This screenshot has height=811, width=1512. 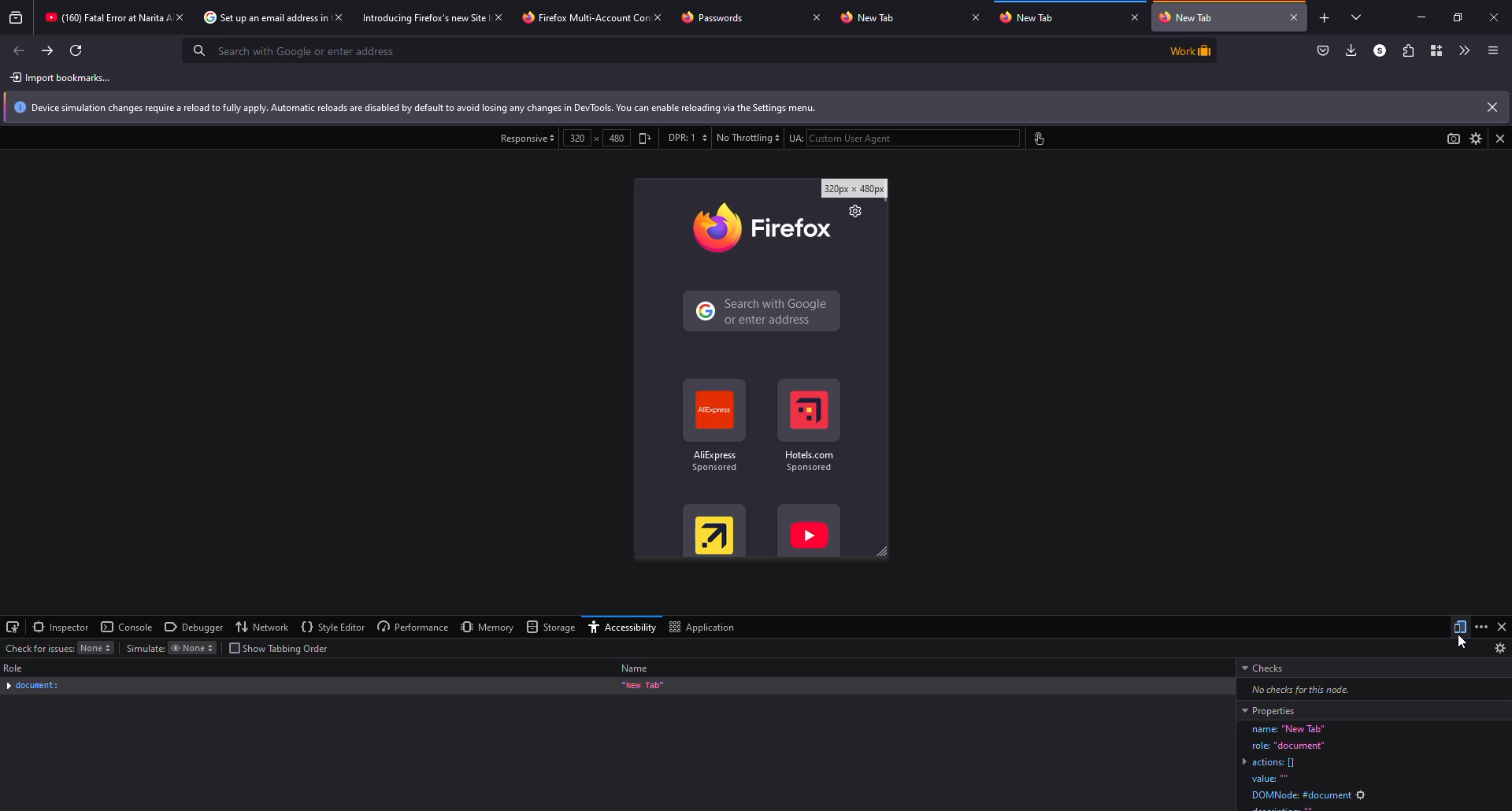 What do you see at coordinates (762, 369) in the screenshot?
I see `phone view enabled` at bounding box center [762, 369].